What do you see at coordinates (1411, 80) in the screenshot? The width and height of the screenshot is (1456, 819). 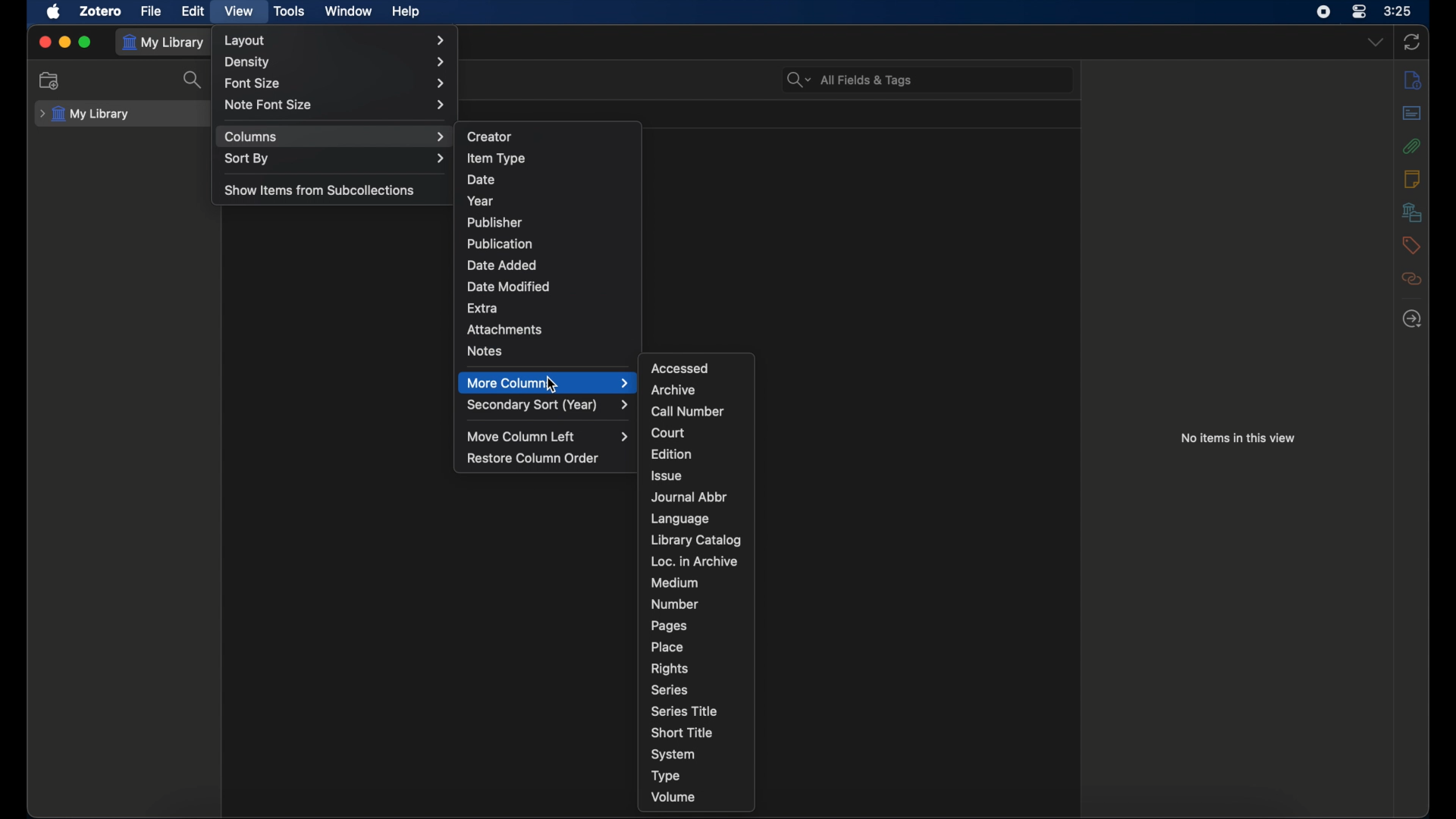 I see `info` at bounding box center [1411, 80].